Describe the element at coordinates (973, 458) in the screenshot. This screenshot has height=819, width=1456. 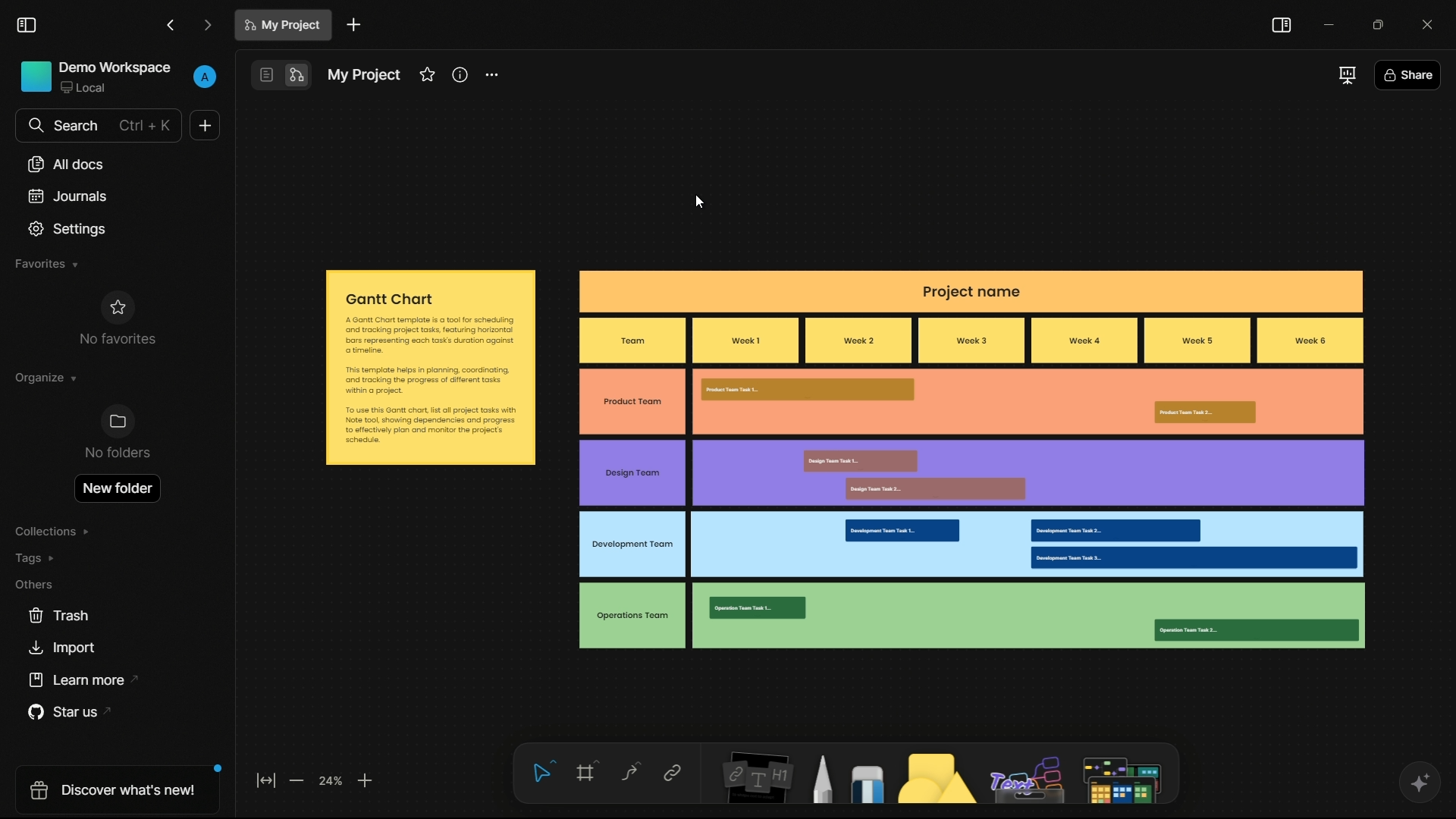
I see `Table` at that location.